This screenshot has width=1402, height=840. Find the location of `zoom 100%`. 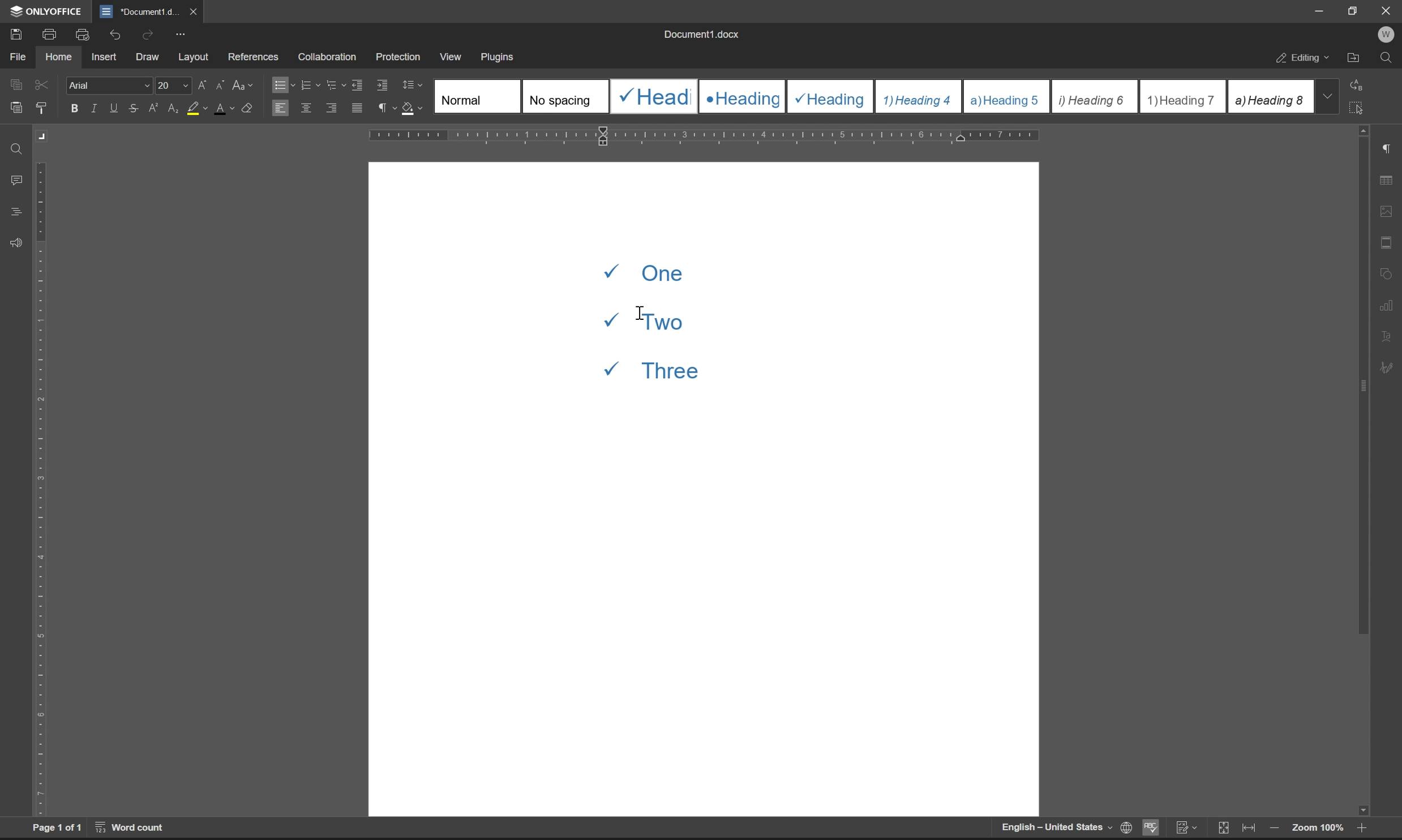

zoom 100% is located at coordinates (1317, 830).